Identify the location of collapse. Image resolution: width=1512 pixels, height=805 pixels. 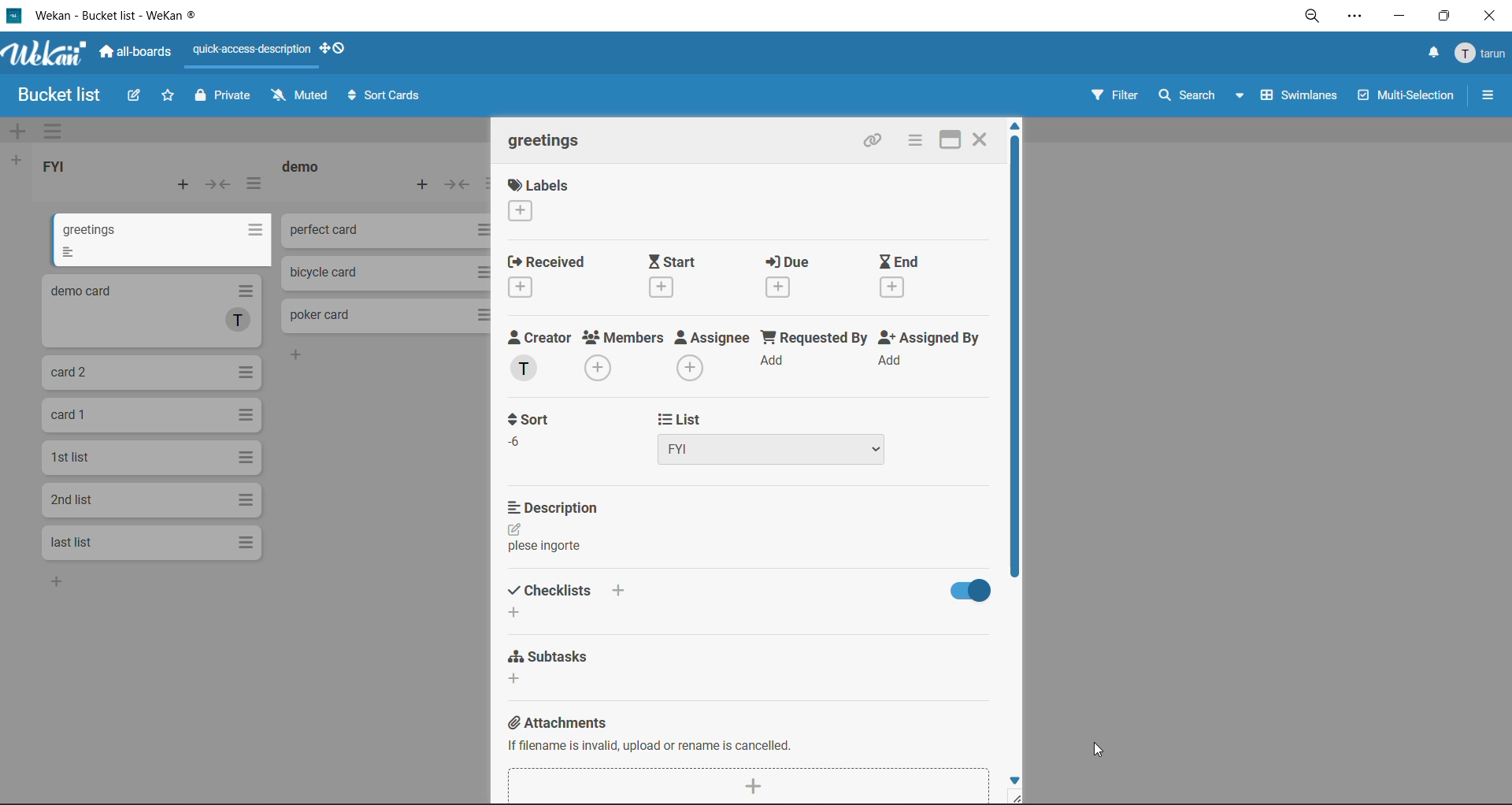
(458, 185).